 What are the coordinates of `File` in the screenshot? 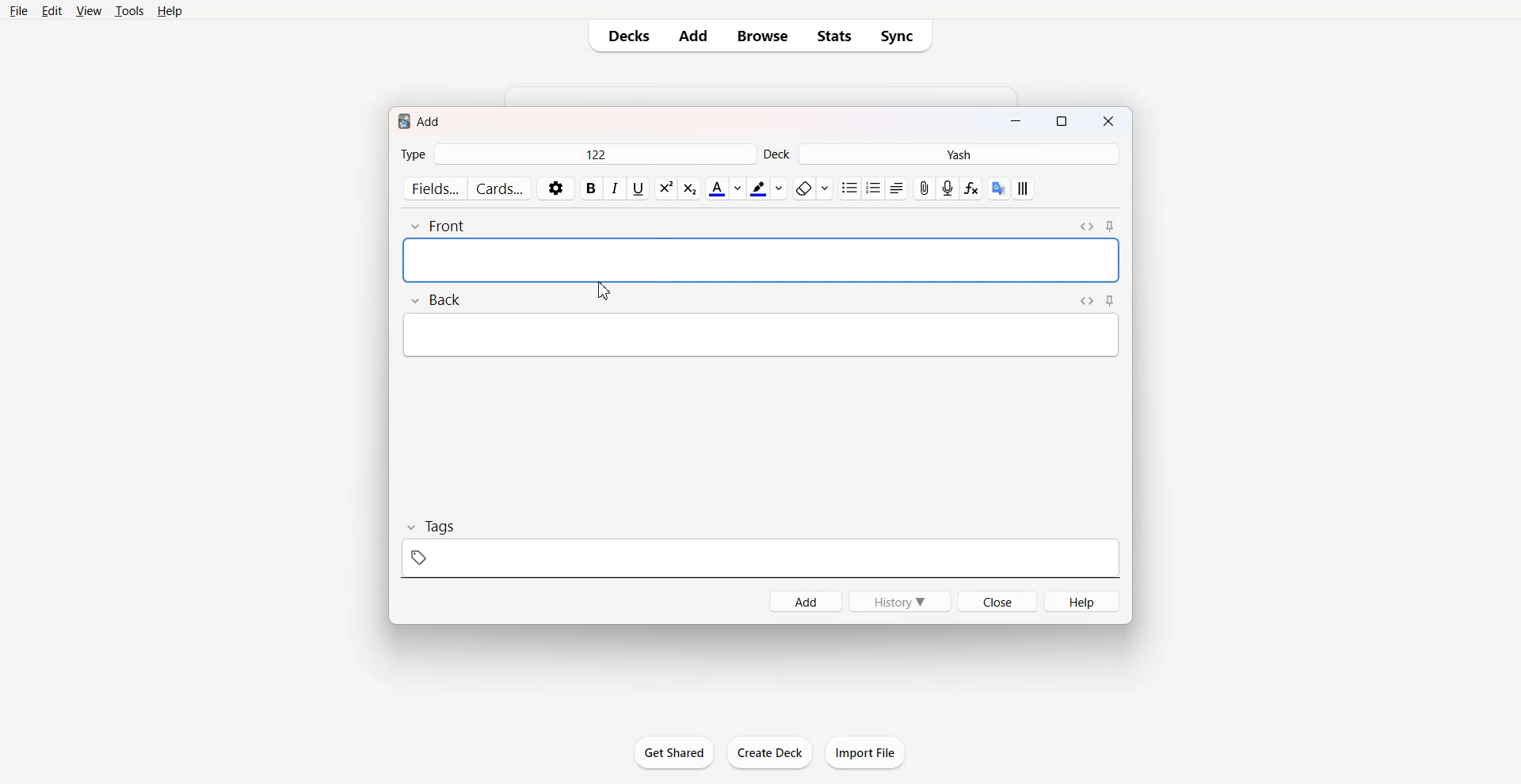 It's located at (19, 11).